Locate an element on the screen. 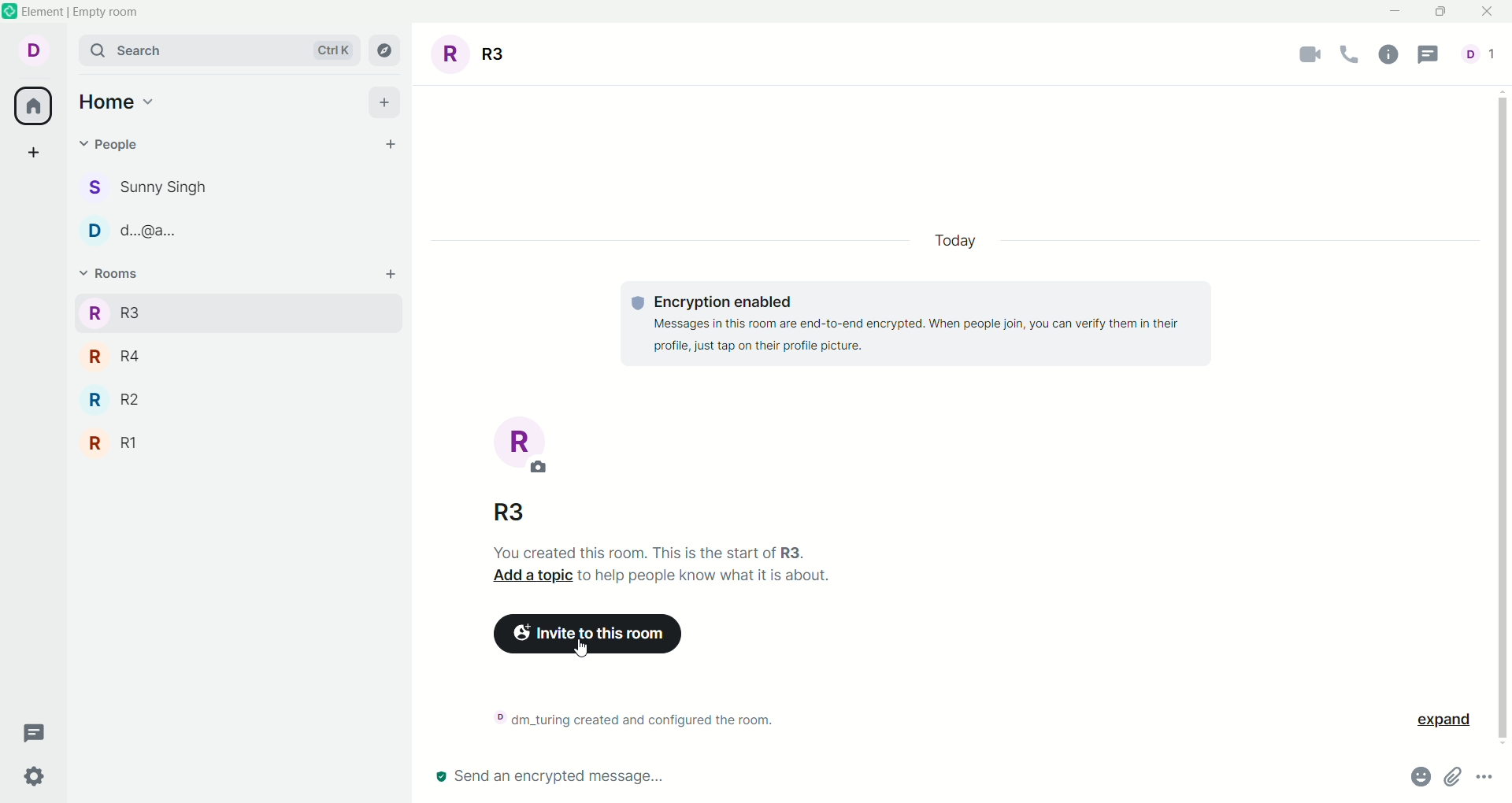 The image size is (1512, 803). vertical scroll bar is located at coordinates (1503, 416).